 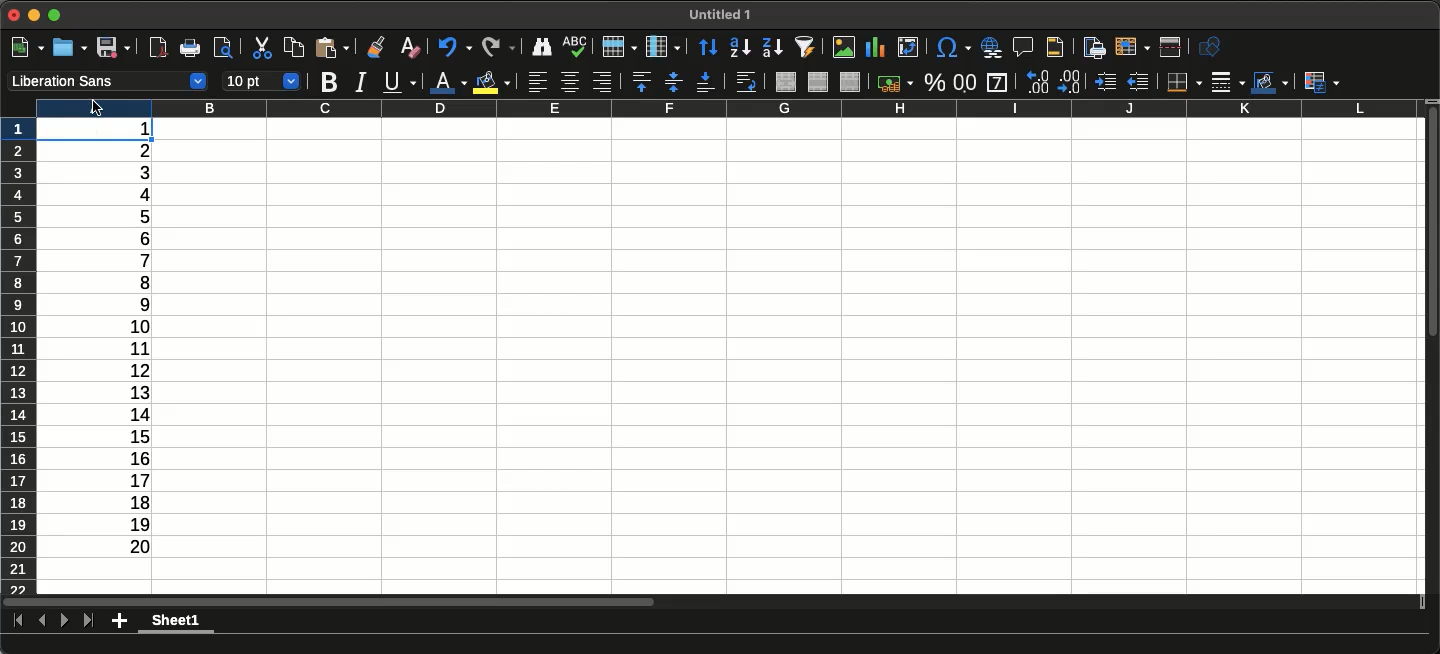 I want to click on Border style, so click(x=1227, y=83).